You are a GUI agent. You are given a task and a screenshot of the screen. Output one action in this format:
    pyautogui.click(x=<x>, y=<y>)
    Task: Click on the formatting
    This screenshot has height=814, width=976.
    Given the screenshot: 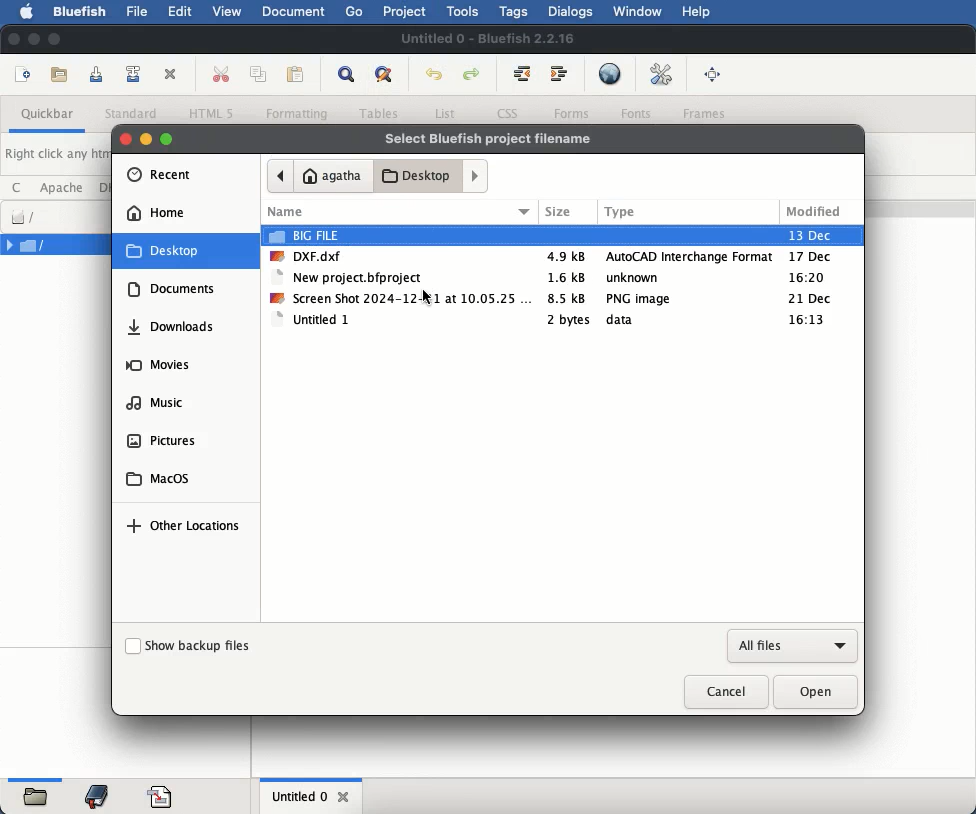 What is the action you would take?
    pyautogui.click(x=301, y=112)
    